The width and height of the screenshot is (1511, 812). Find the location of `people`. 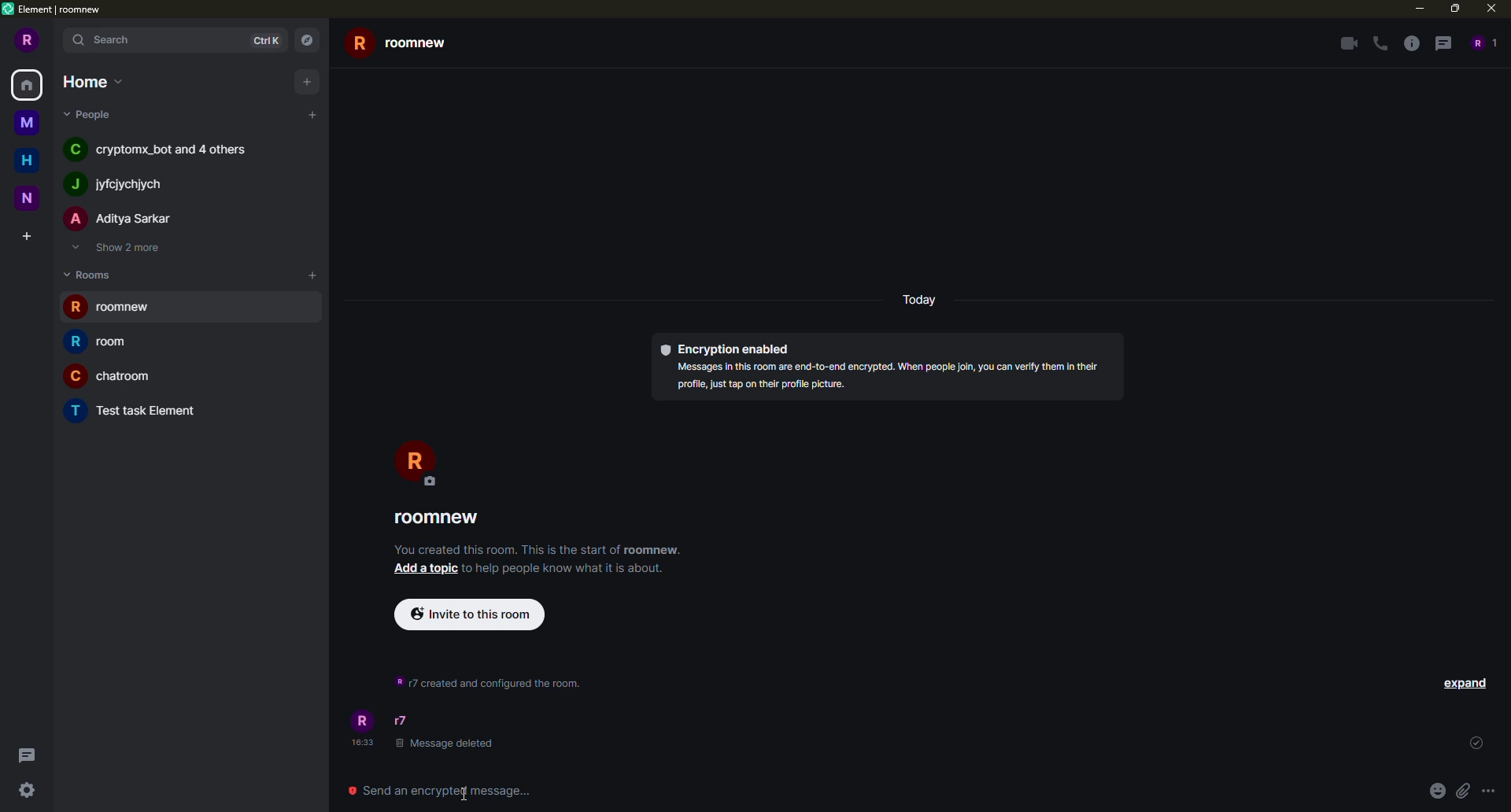

people is located at coordinates (124, 185).